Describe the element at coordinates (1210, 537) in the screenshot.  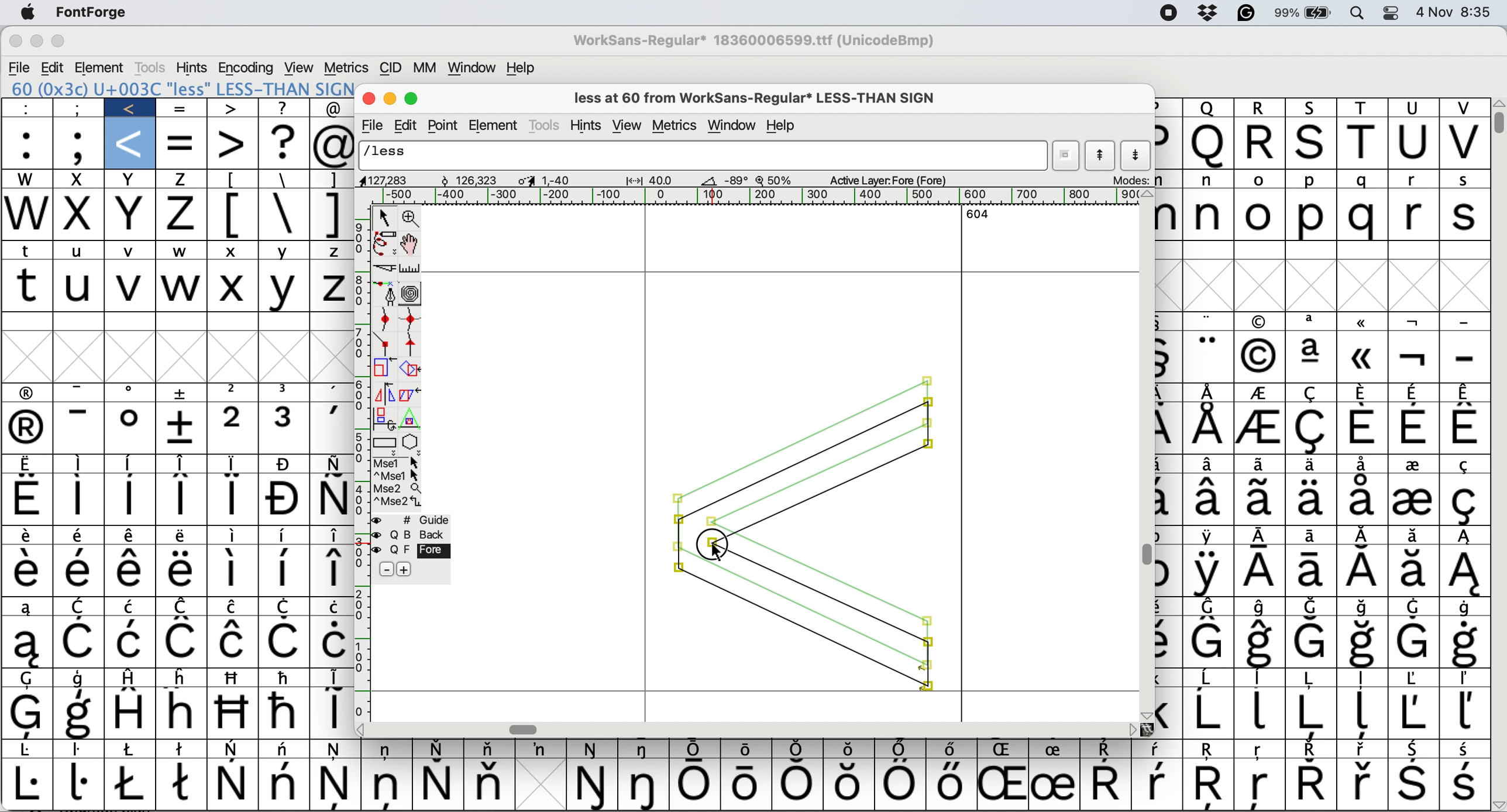
I see `Symbol` at that location.